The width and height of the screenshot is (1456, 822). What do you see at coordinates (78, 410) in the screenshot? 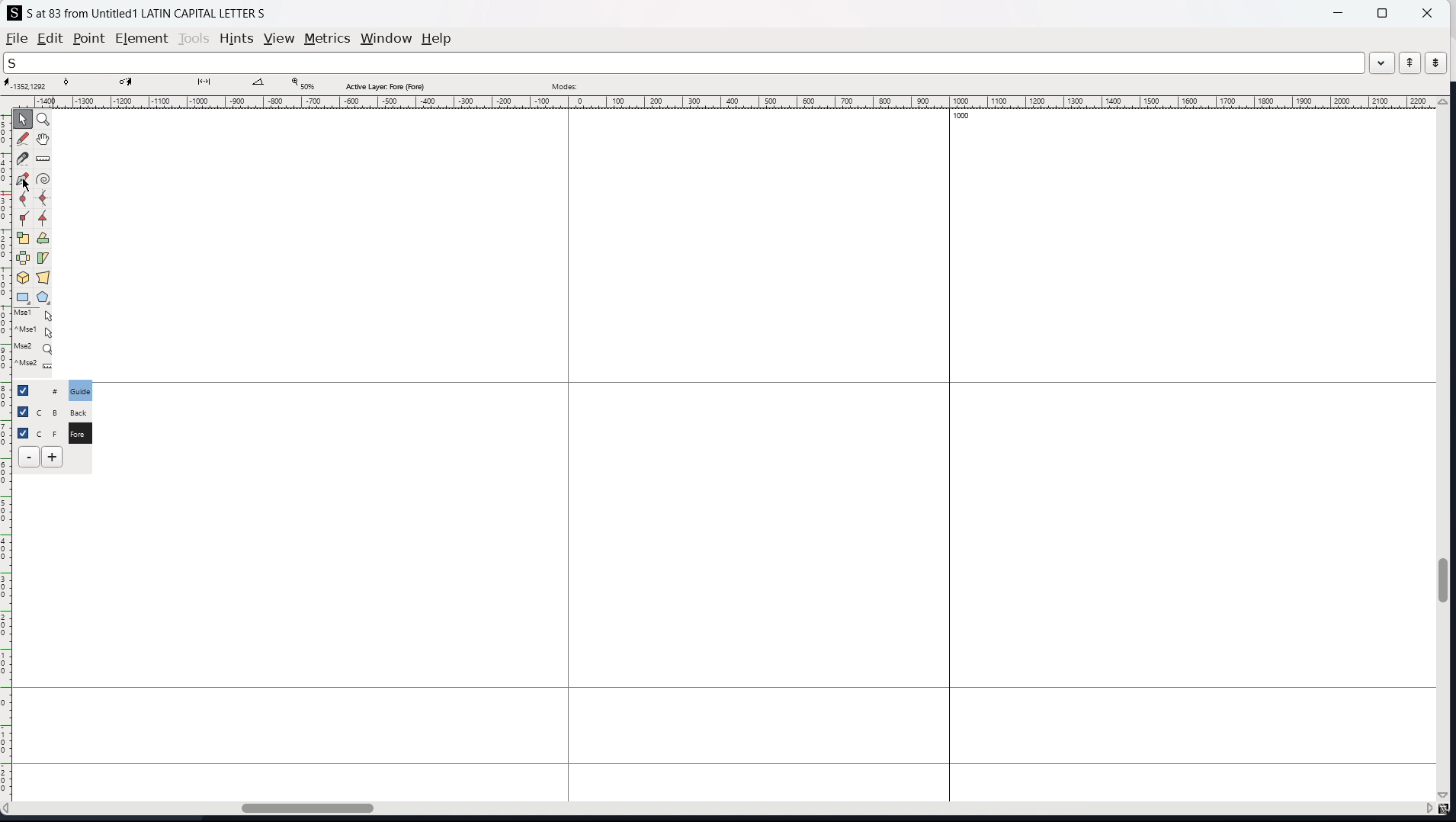
I see `C B Back` at bounding box center [78, 410].